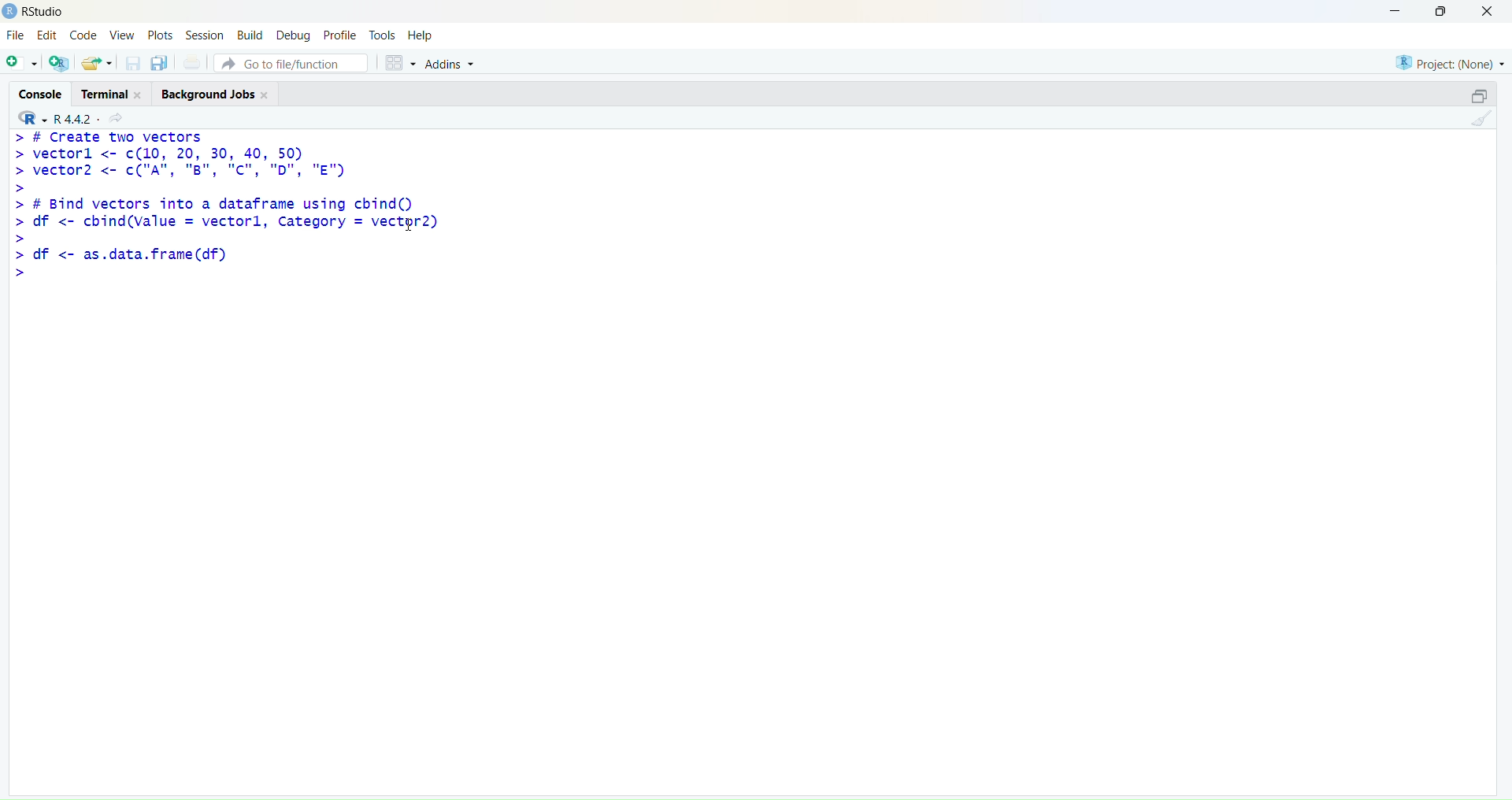 The image size is (1512, 800). What do you see at coordinates (84, 34) in the screenshot?
I see `Code` at bounding box center [84, 34].